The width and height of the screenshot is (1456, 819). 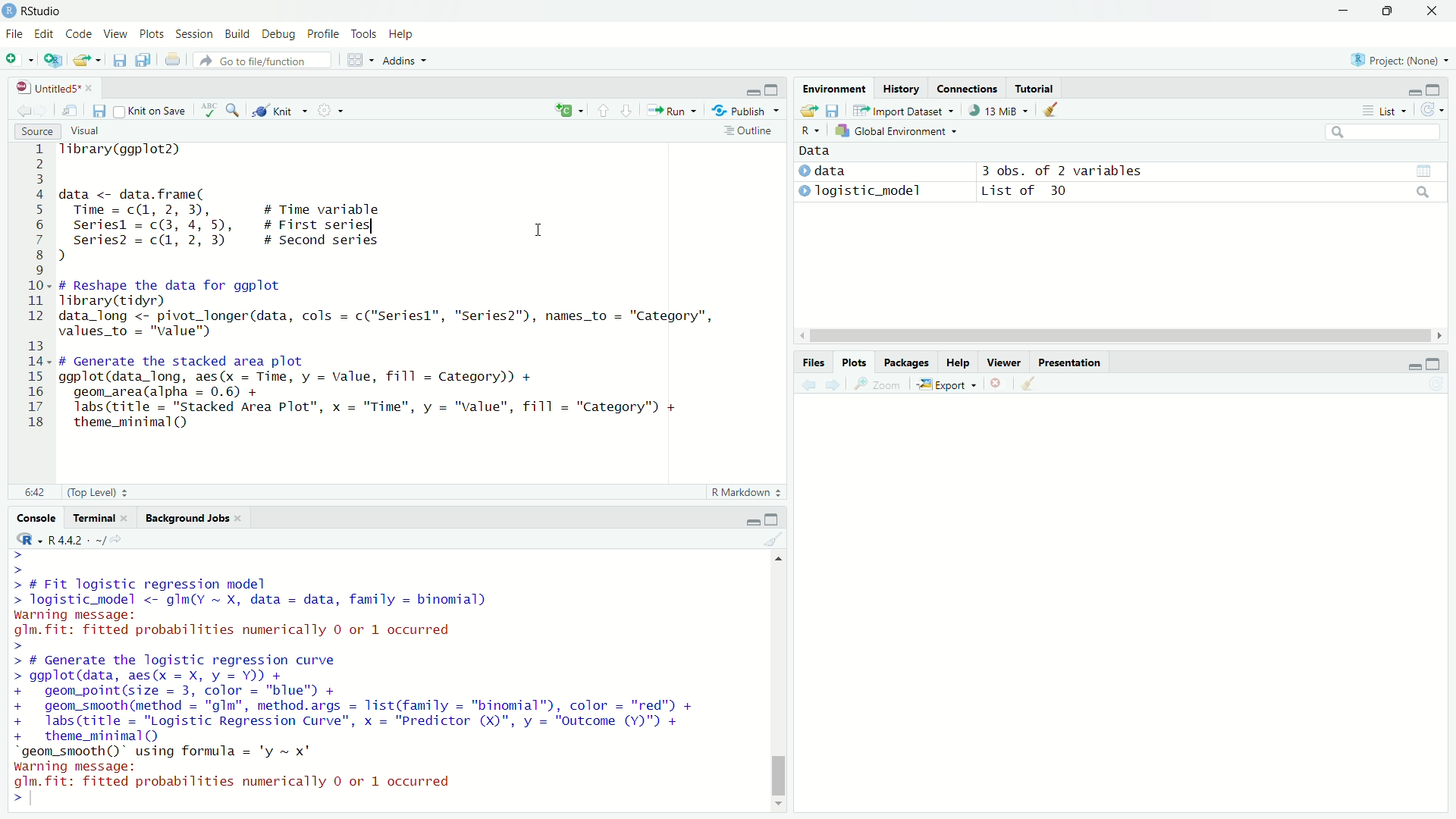 What do you see at coordinates (834, 111) in the screenshot?
I see `files` at bounding box center [834, 111].